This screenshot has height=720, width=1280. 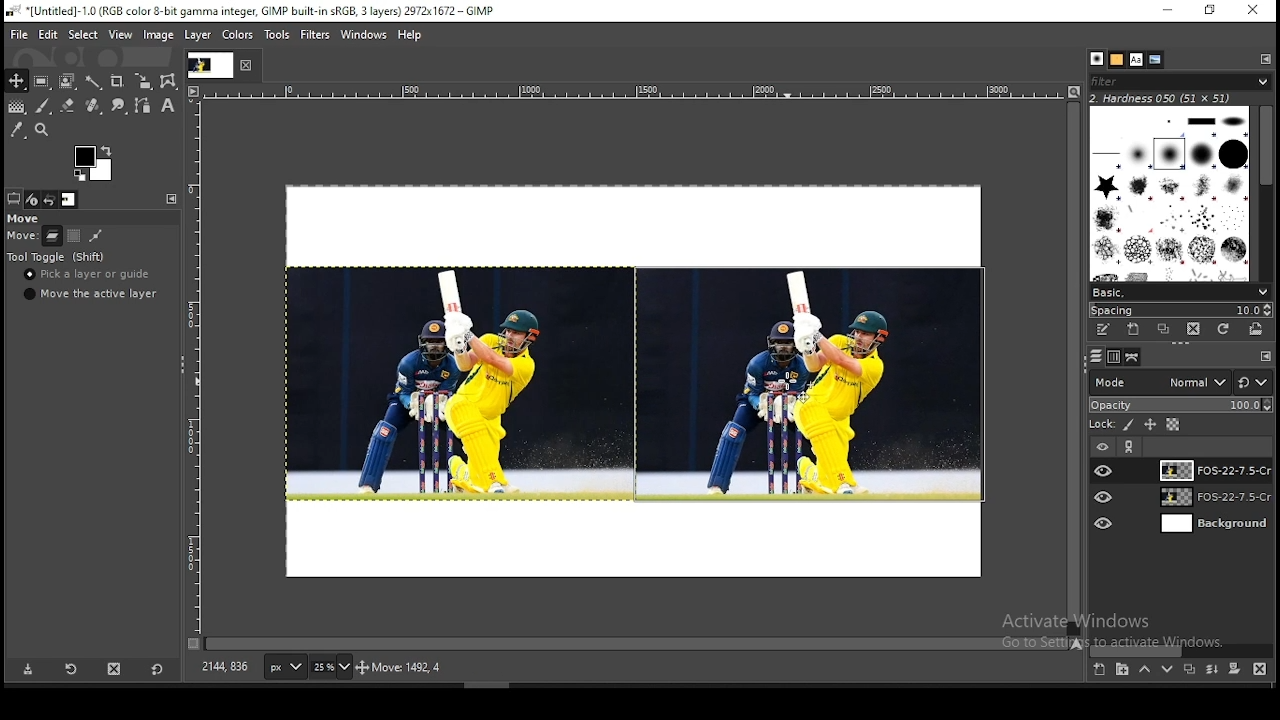 I want to click on zoom status, so click(x=331, y=669).